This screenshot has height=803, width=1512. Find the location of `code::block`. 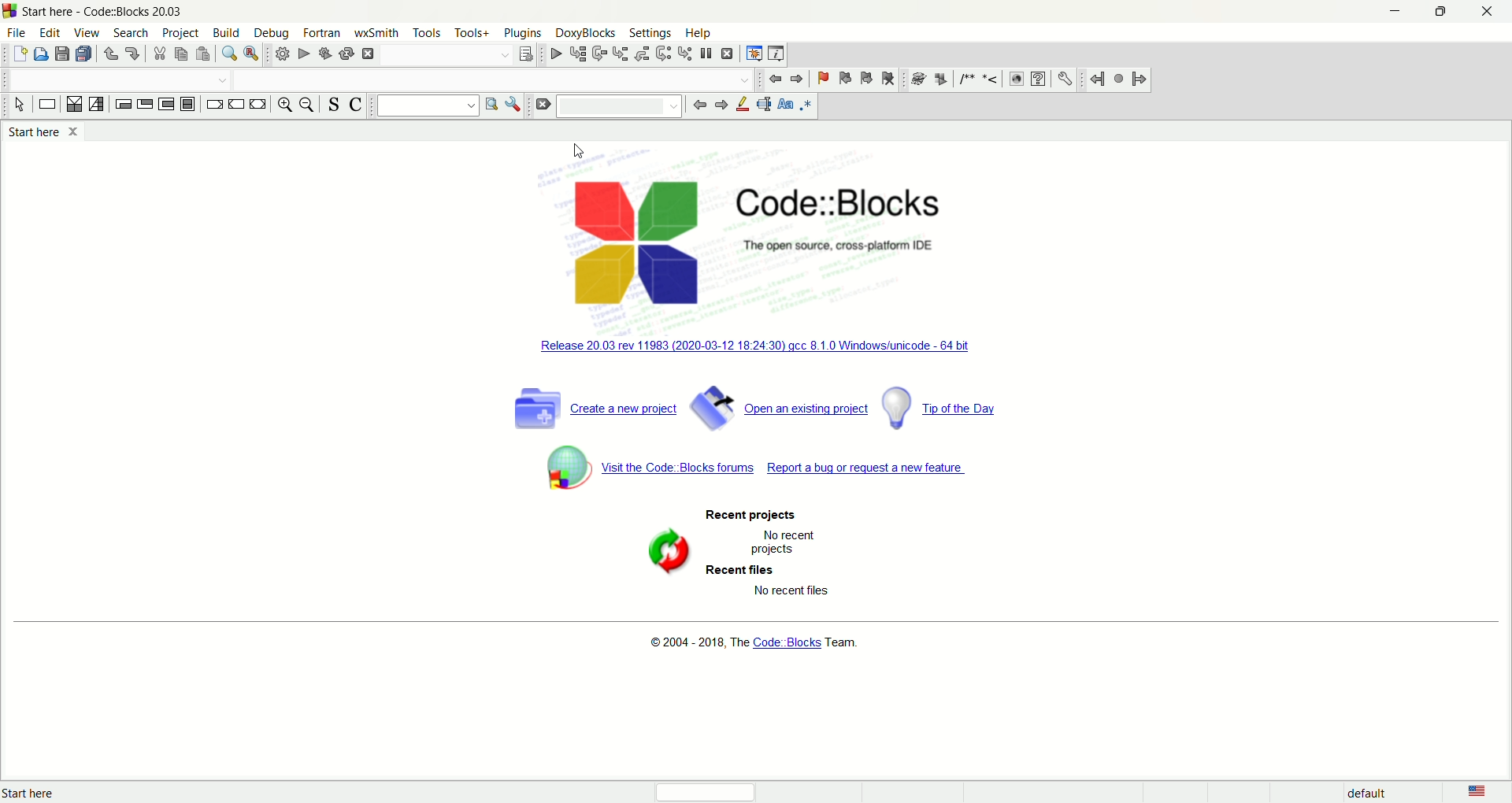

code::block is located at coordinates (112, 12).